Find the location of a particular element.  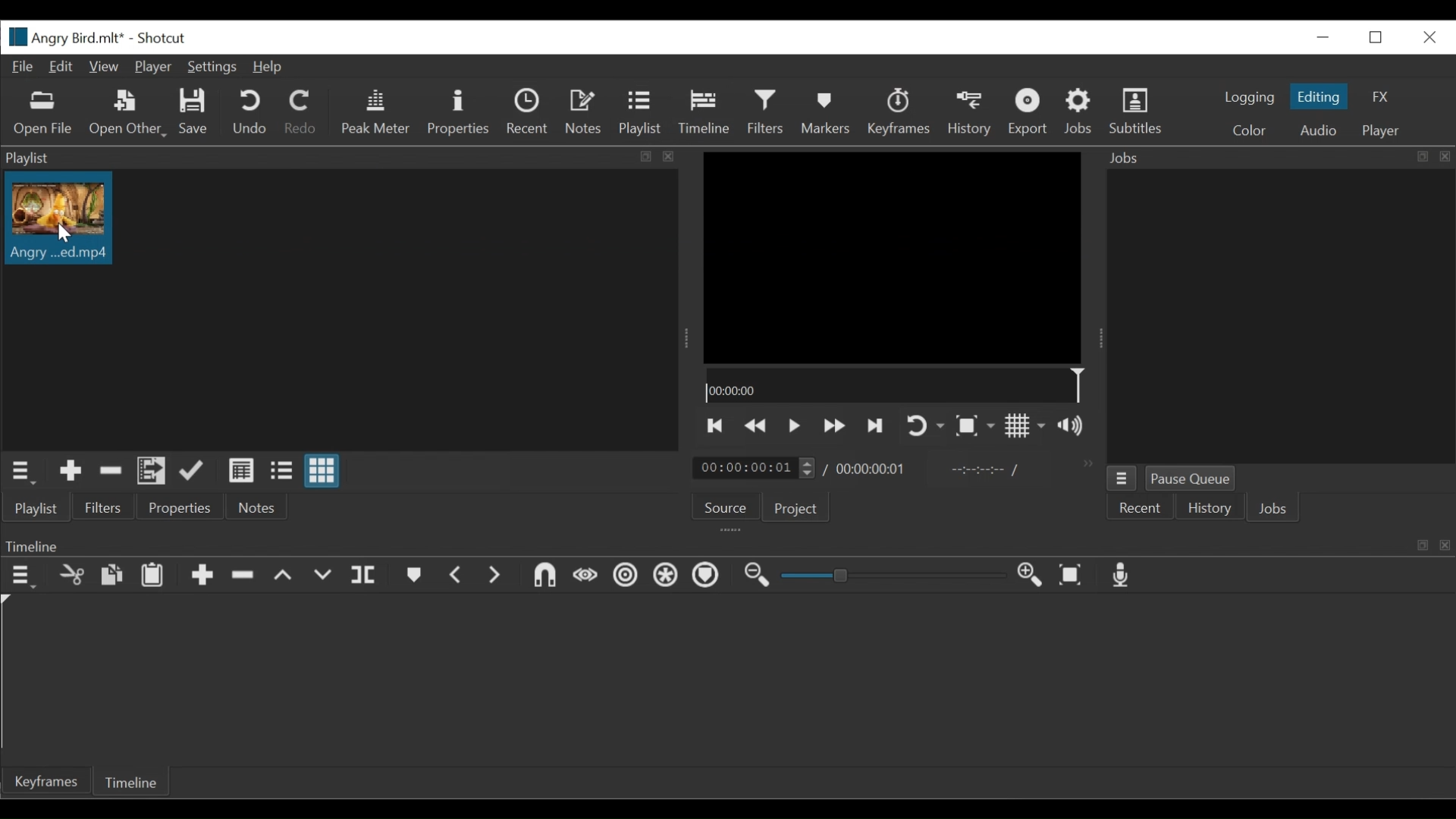

Current duration is located at coordinates (755, 469).